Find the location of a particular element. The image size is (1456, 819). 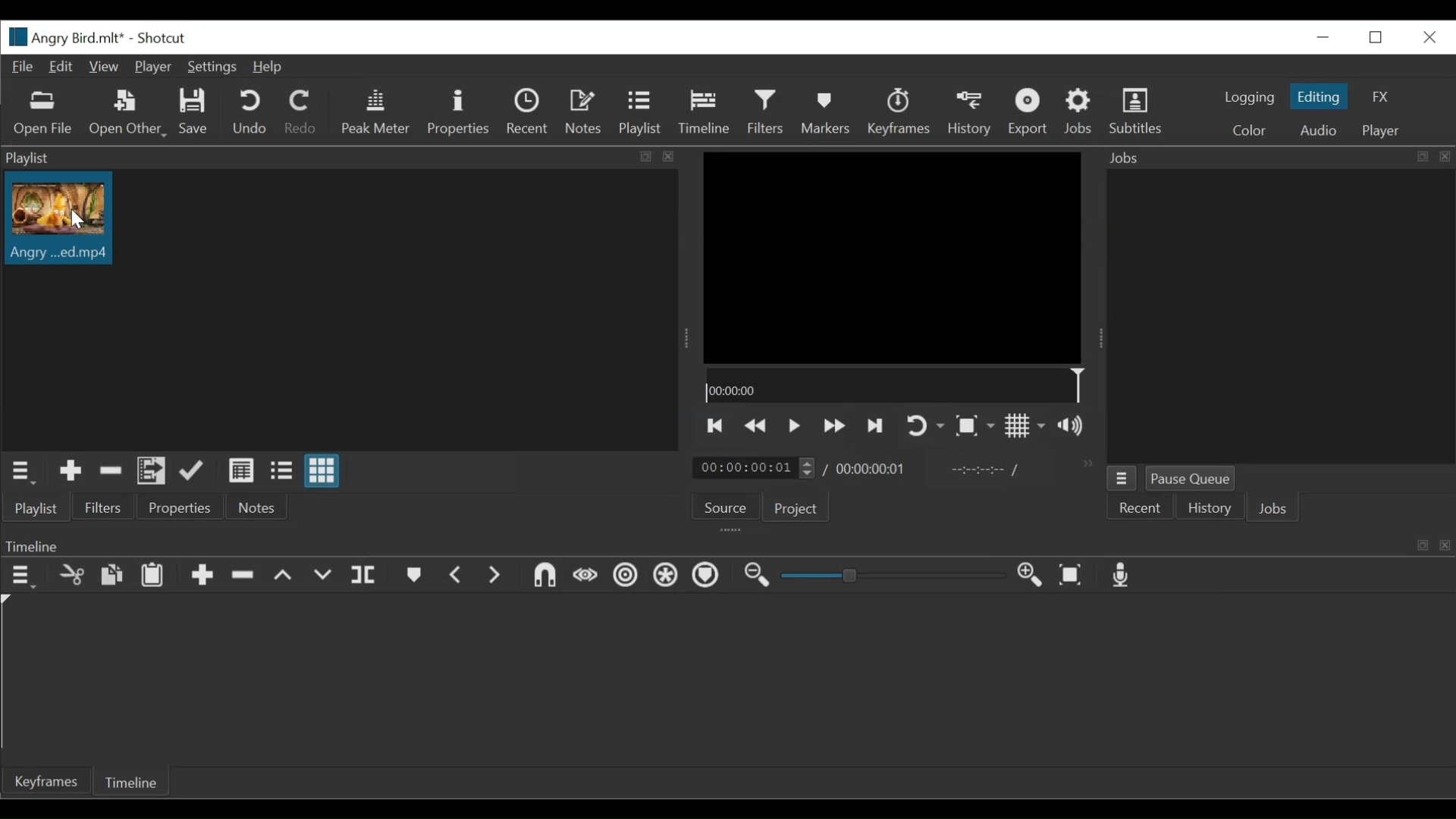

Toggle grid display on player is located at coordinates (1026, 427).